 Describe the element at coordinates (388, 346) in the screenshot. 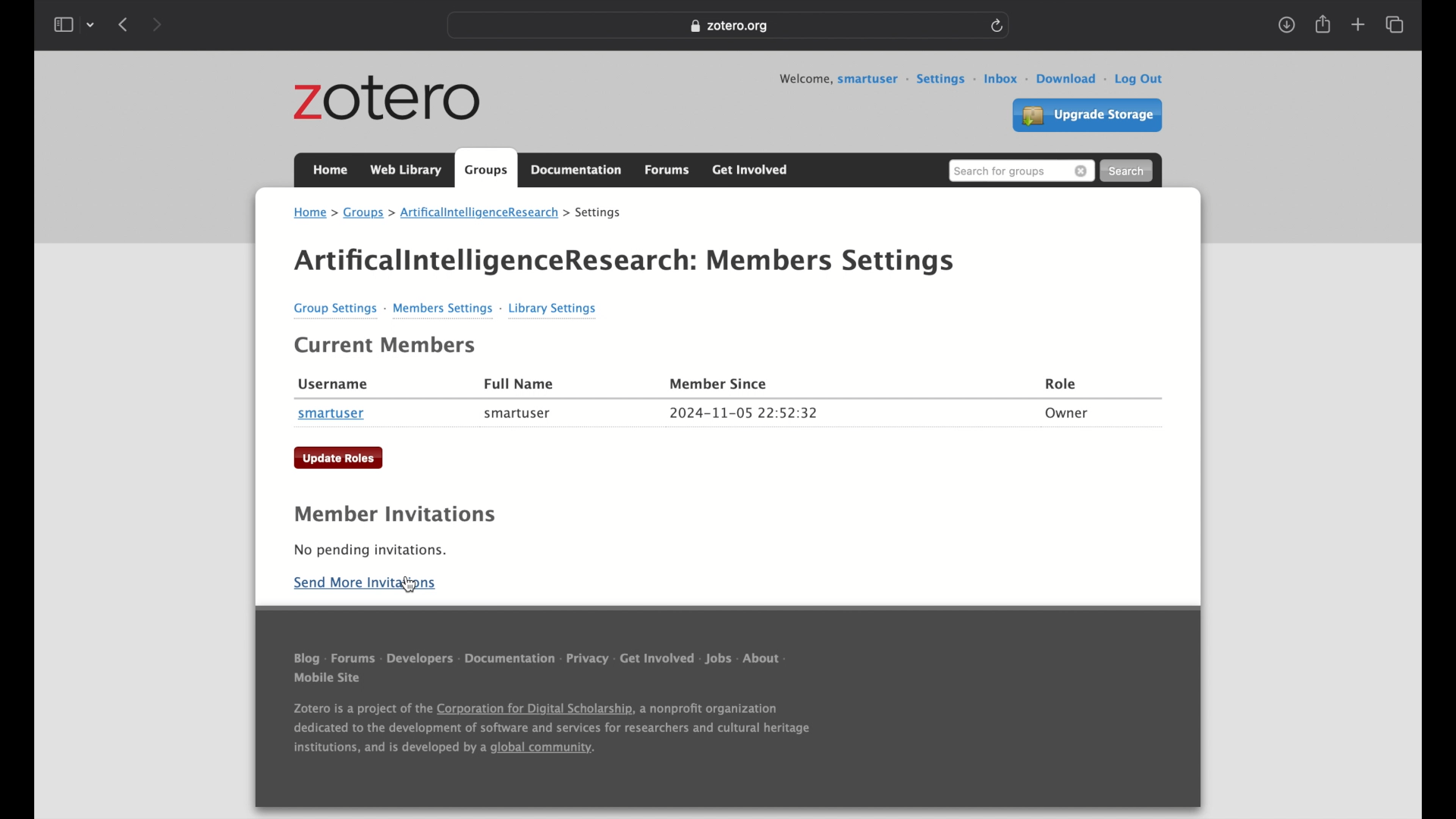

I see `current members` at that location.